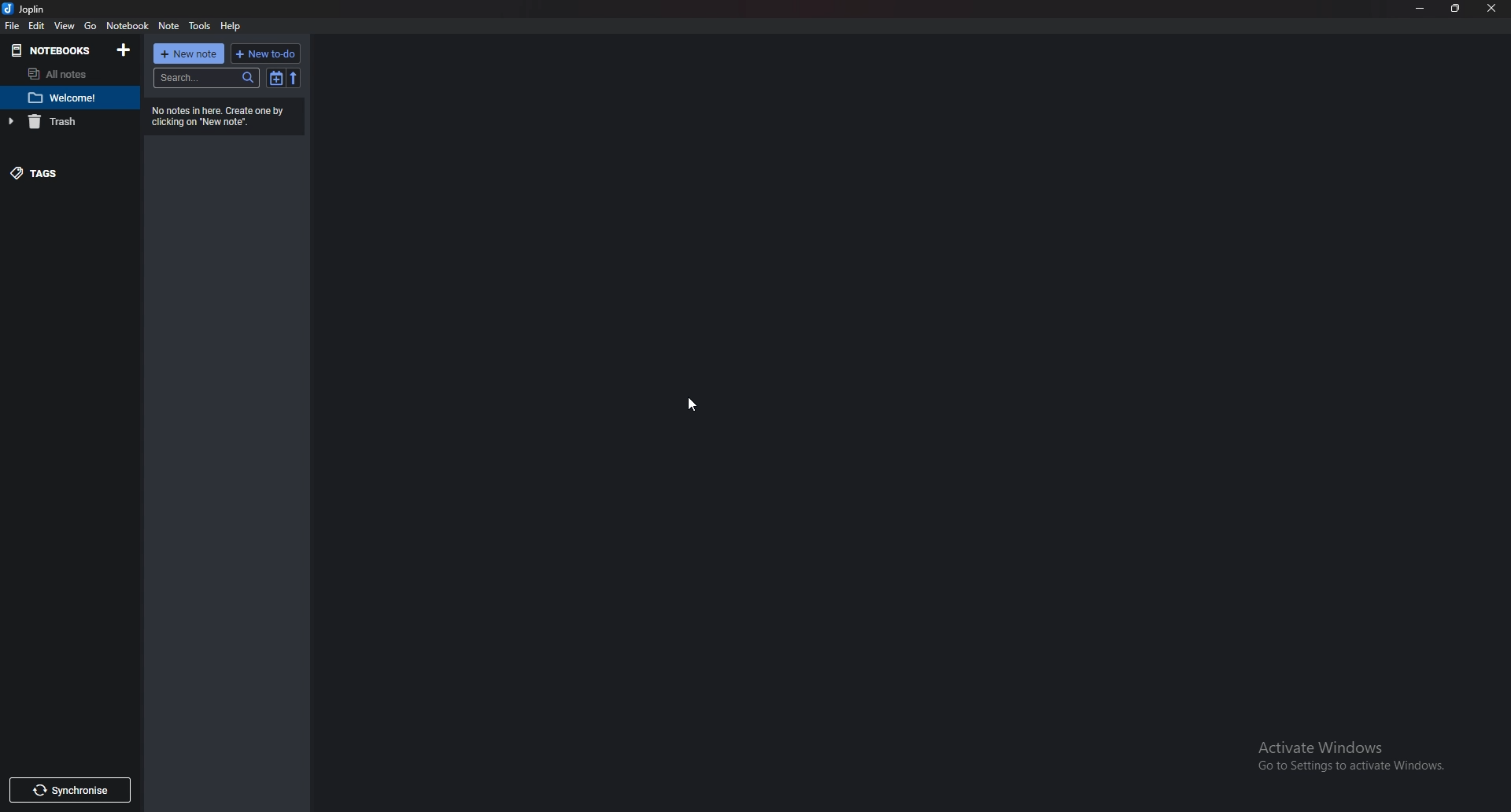  Describe the element at coordinates (268, 54) in the screenshot. I see `new todo` at that location.